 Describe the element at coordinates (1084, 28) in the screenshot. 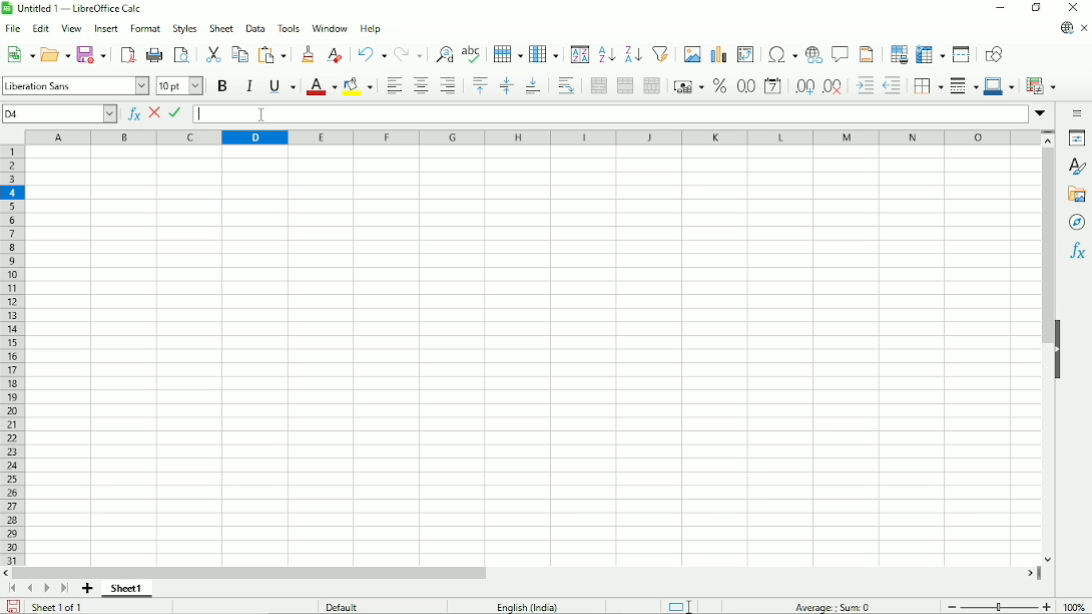

I see `Close document` at that location.